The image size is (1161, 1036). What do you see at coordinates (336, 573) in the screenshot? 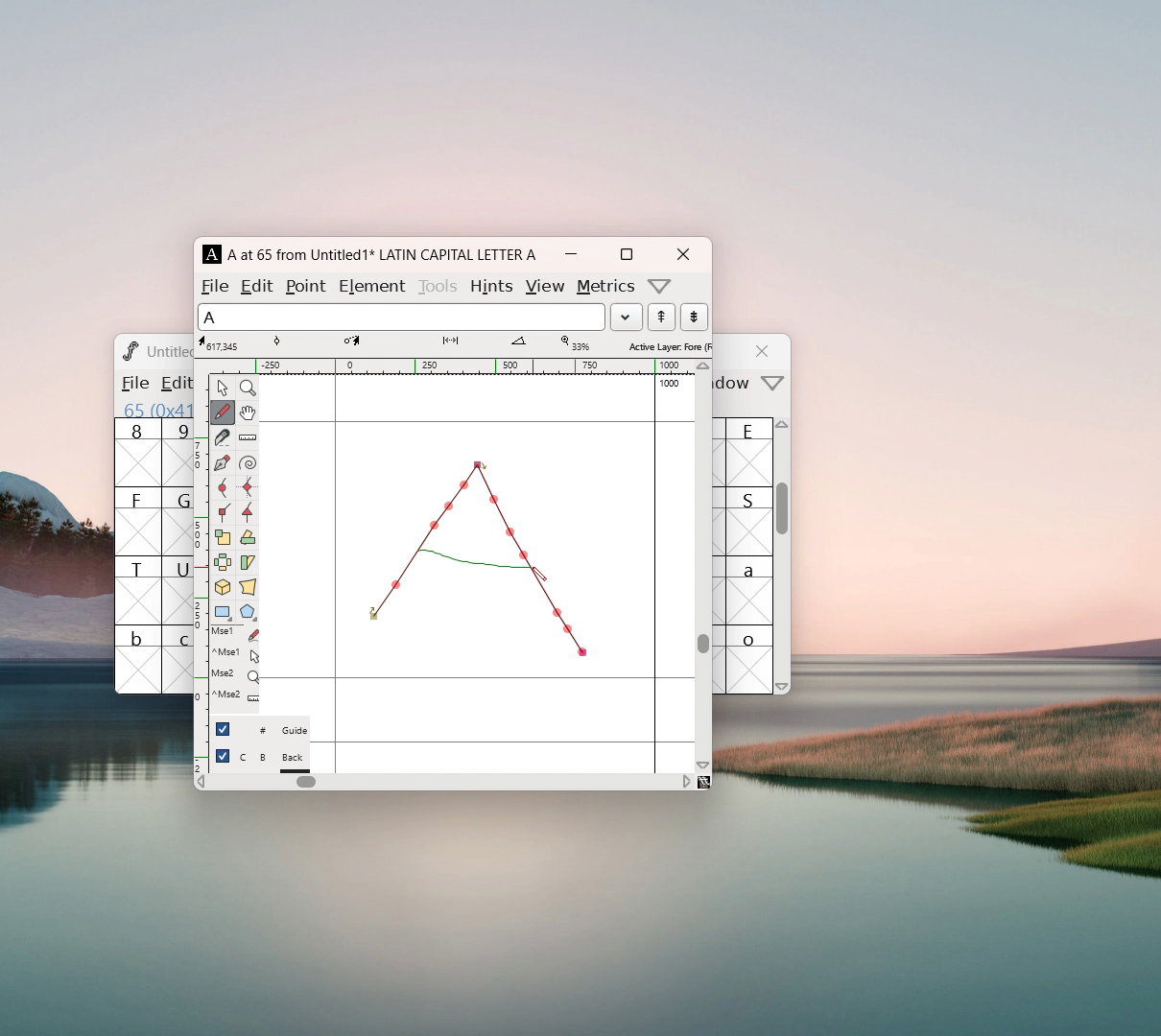
I see `left side bearing` at bounding box center [336, 573].